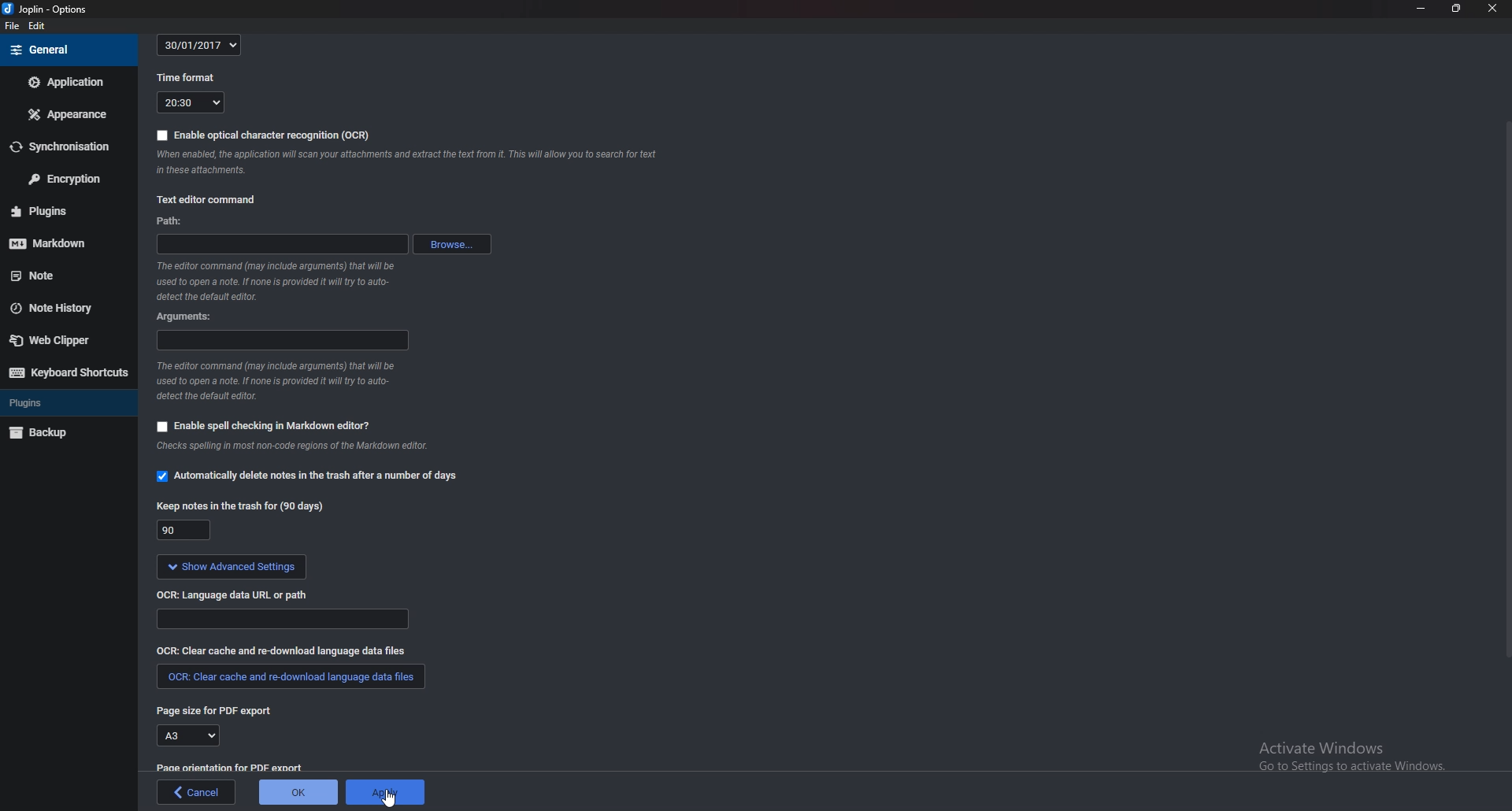  Describe the element at coordinates (282, 652) in the screenshot. I see `Clear cache and redownload language data files` at that location.